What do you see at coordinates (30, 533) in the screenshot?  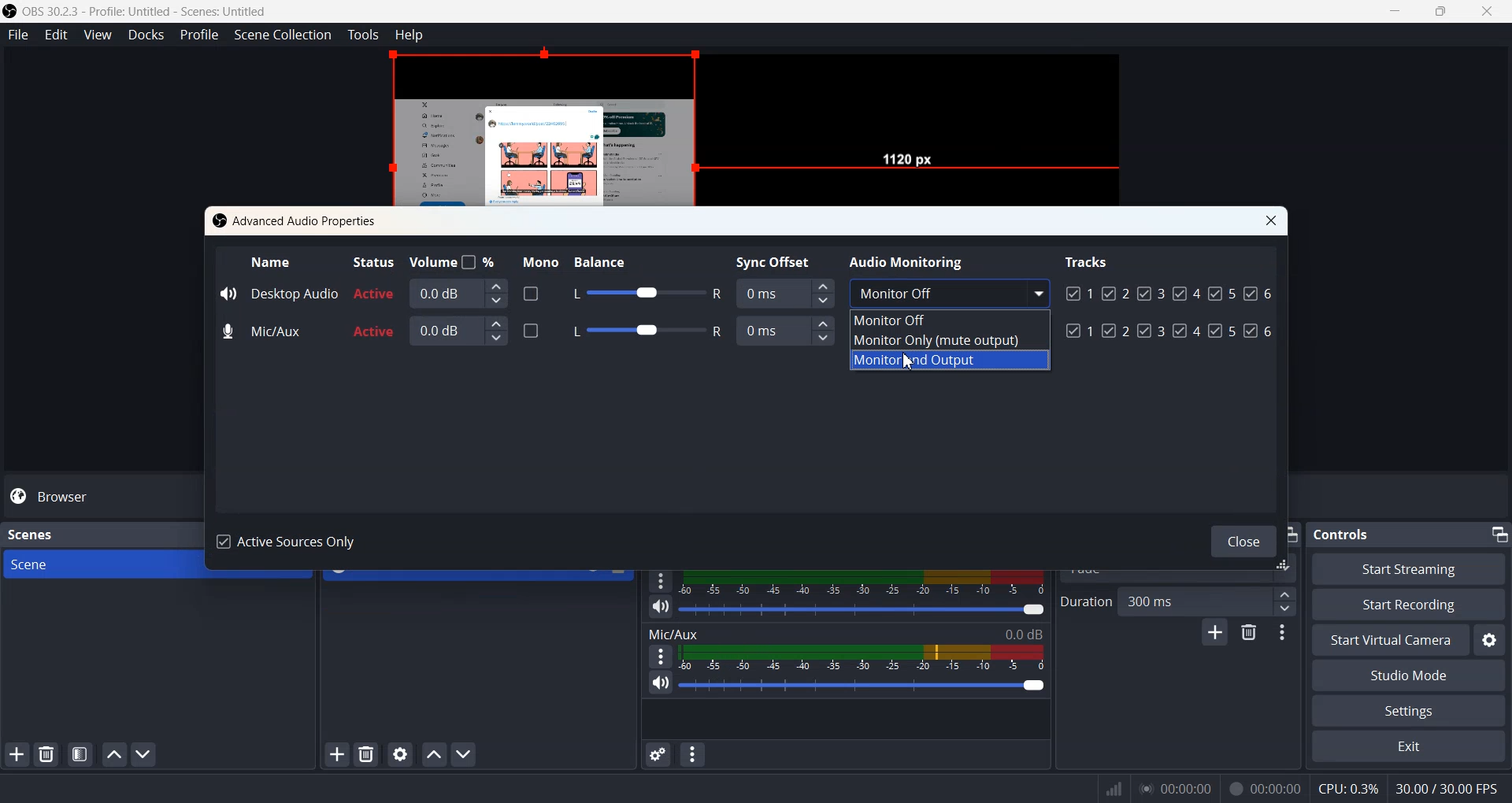 I see `Scenes` at bounding box center [30, 533].